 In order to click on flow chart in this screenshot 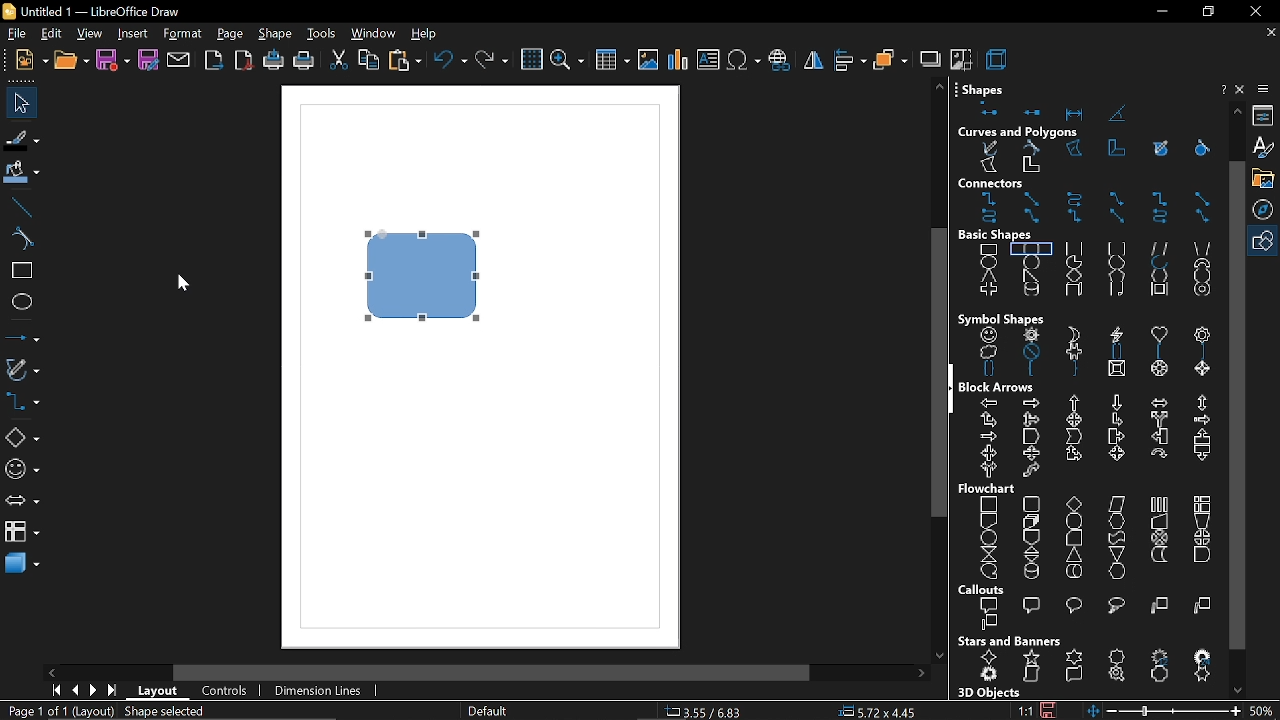, I will do `click(990, 489)`.